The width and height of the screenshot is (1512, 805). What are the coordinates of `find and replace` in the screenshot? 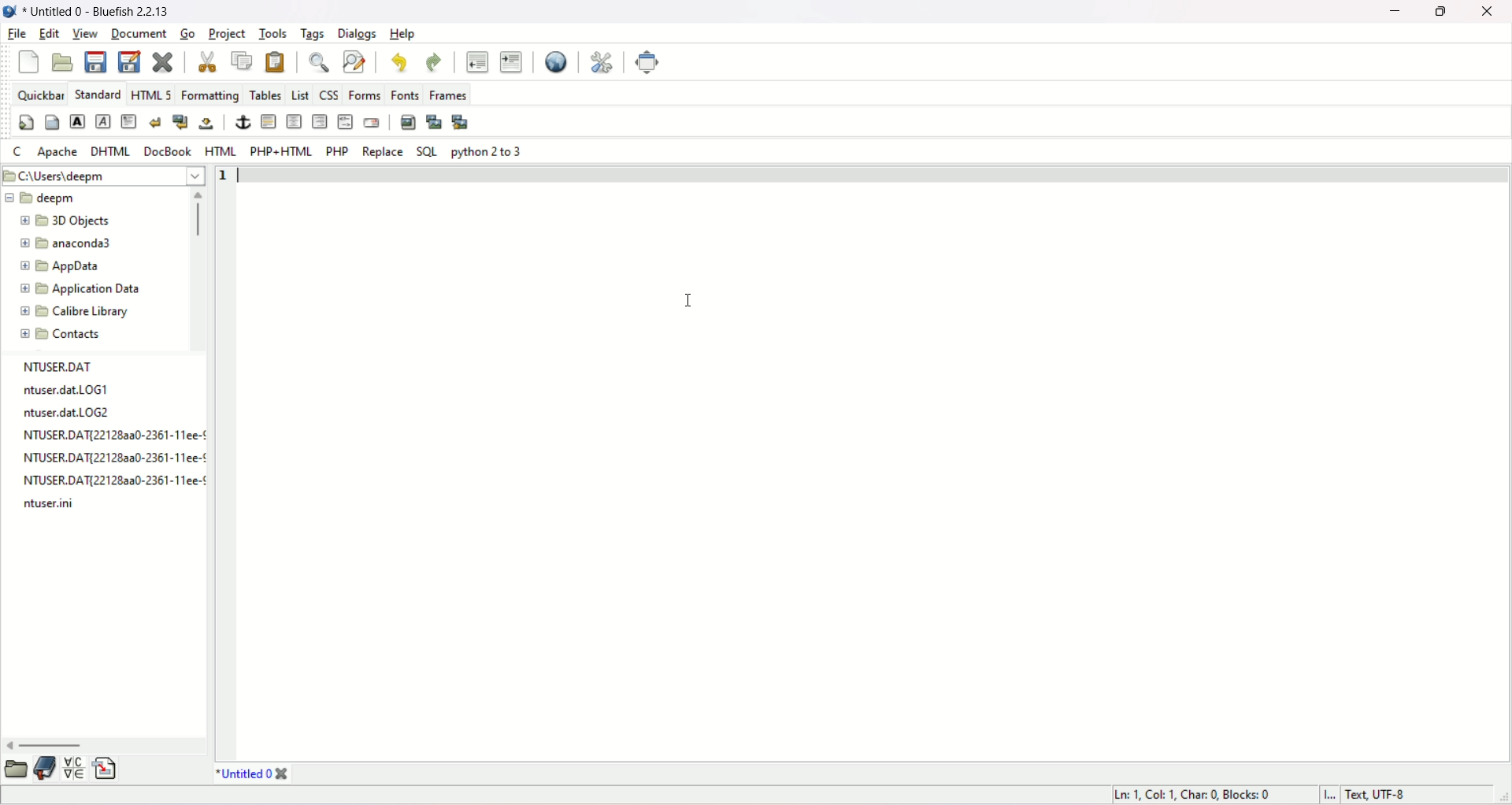 It's located at (354, 63).